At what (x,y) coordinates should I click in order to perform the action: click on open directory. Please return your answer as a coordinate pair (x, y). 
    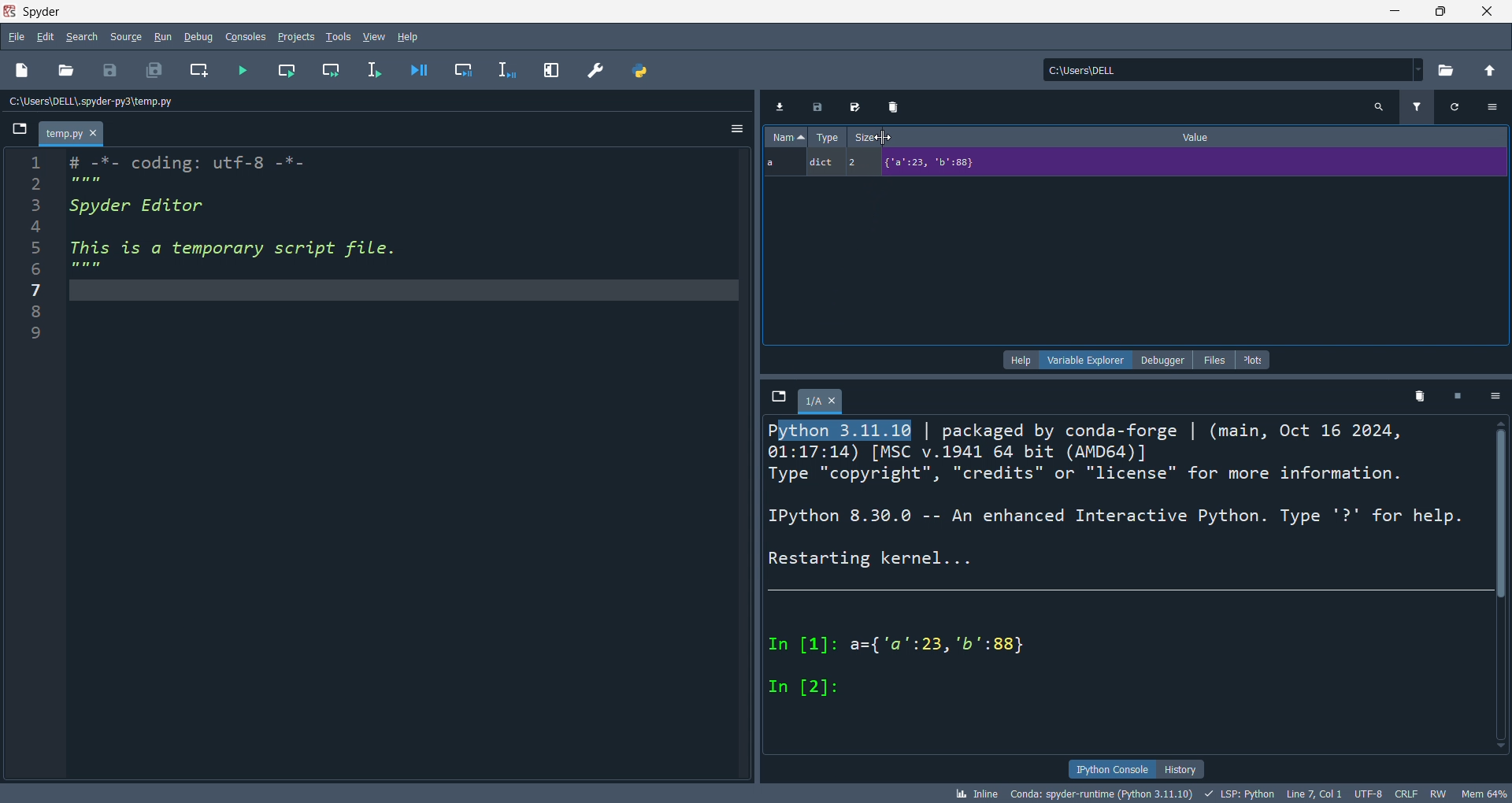
    Looking at the image, I should click on (1441, 71).